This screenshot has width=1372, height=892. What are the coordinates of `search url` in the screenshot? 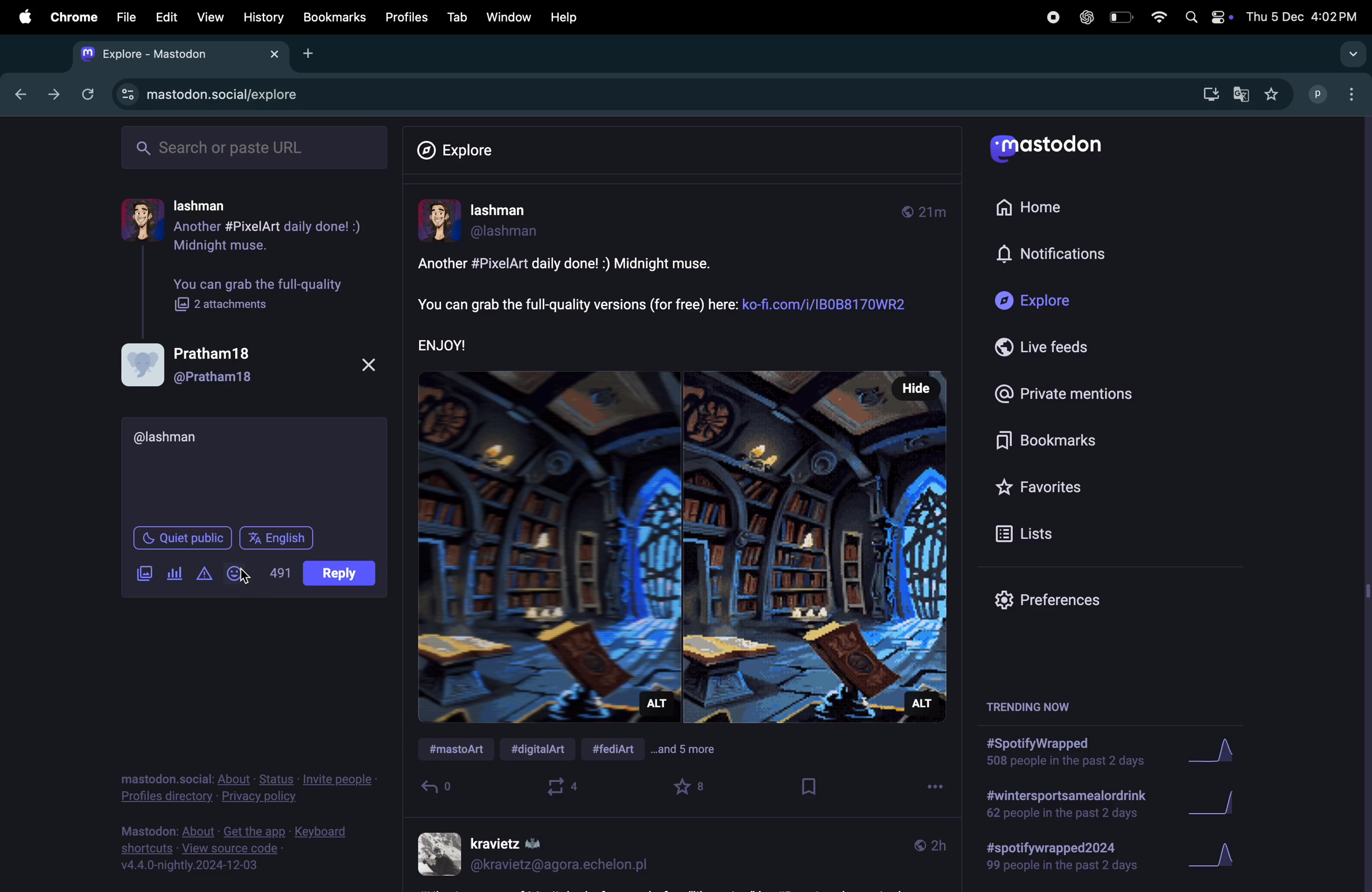 It's located at (255, 149).